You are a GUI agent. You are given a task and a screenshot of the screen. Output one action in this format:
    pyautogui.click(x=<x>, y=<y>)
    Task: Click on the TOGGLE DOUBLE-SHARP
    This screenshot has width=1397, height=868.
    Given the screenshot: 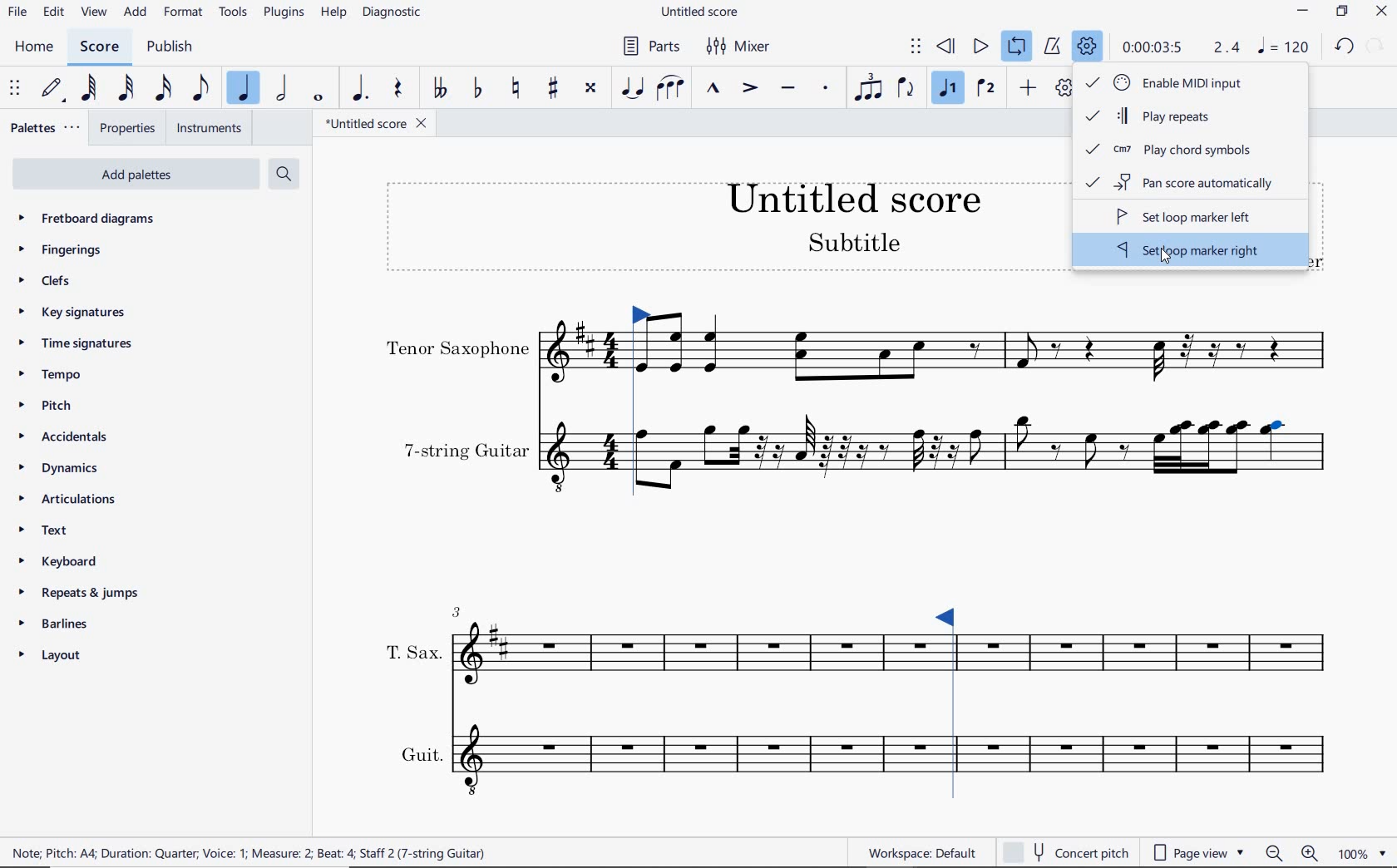 What is the action you would take?
    pyautogui.click(x=590, y=89)
    